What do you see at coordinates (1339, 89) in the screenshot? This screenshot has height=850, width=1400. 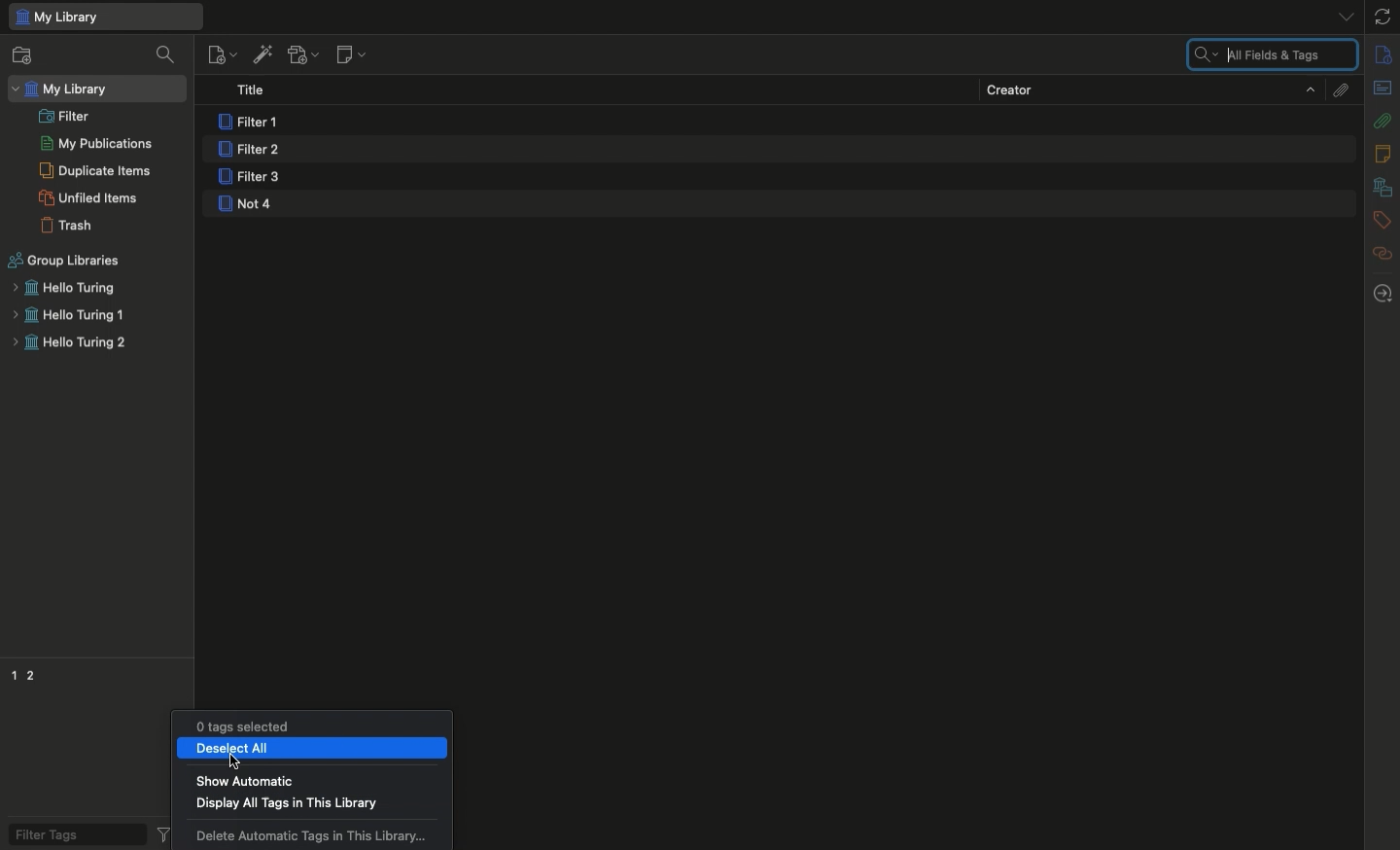 I see `Attachments` at bounding box center [1339, 89].